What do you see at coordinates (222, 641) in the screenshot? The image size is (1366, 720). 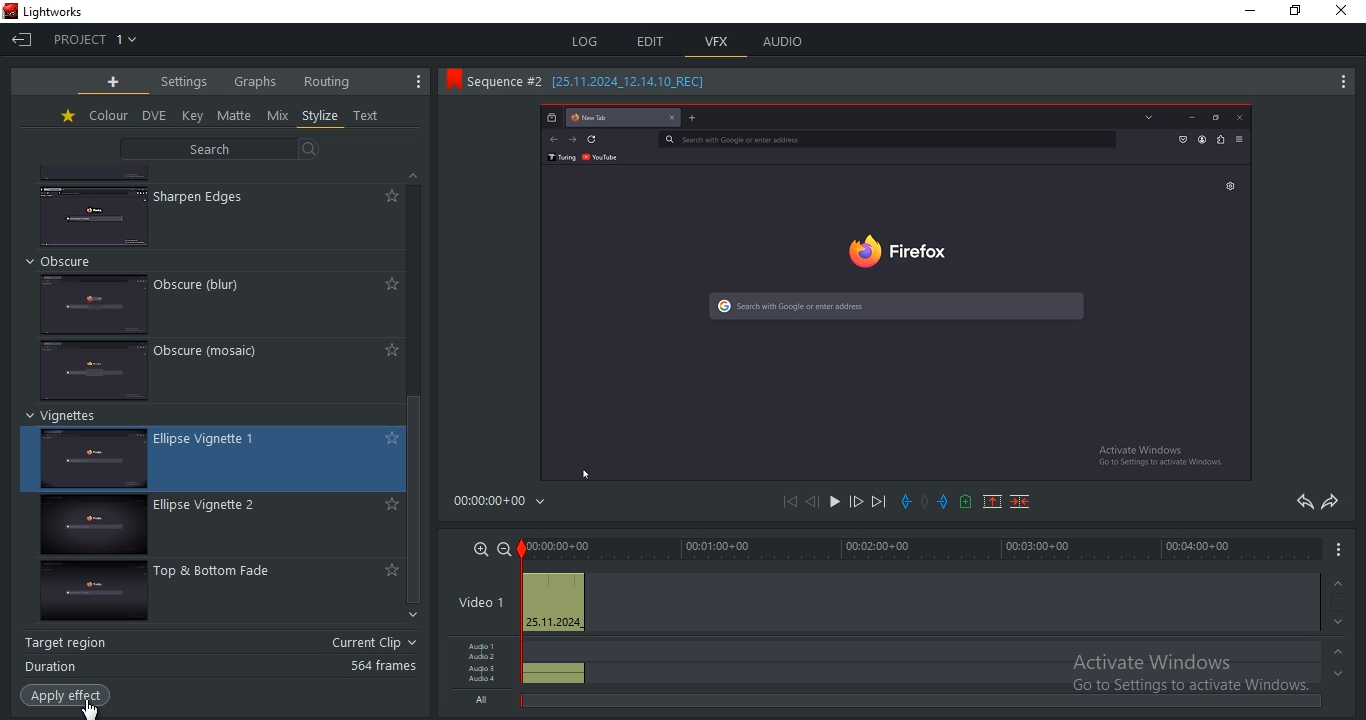 I see `target region, current clip drop down menu` at bounding box center [222, 641].